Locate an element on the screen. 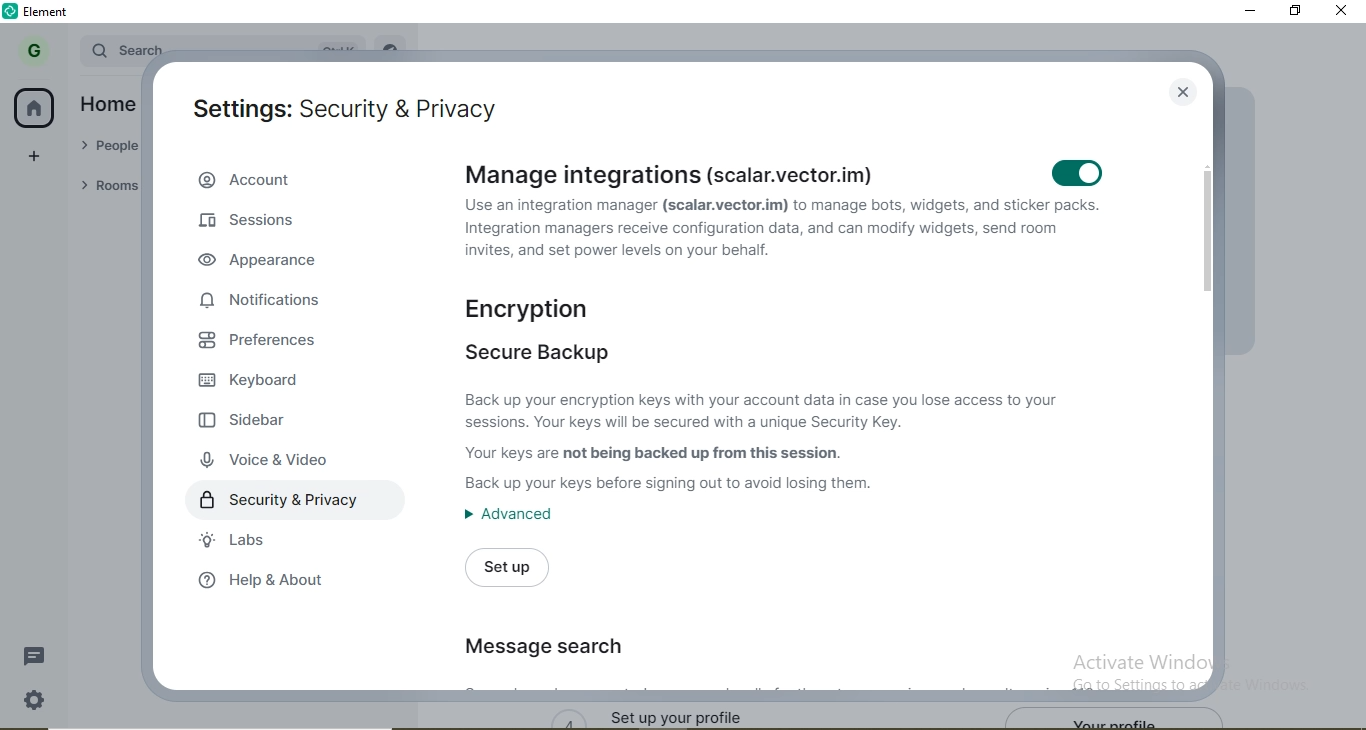  preferences is located at coordinates (273, 343).